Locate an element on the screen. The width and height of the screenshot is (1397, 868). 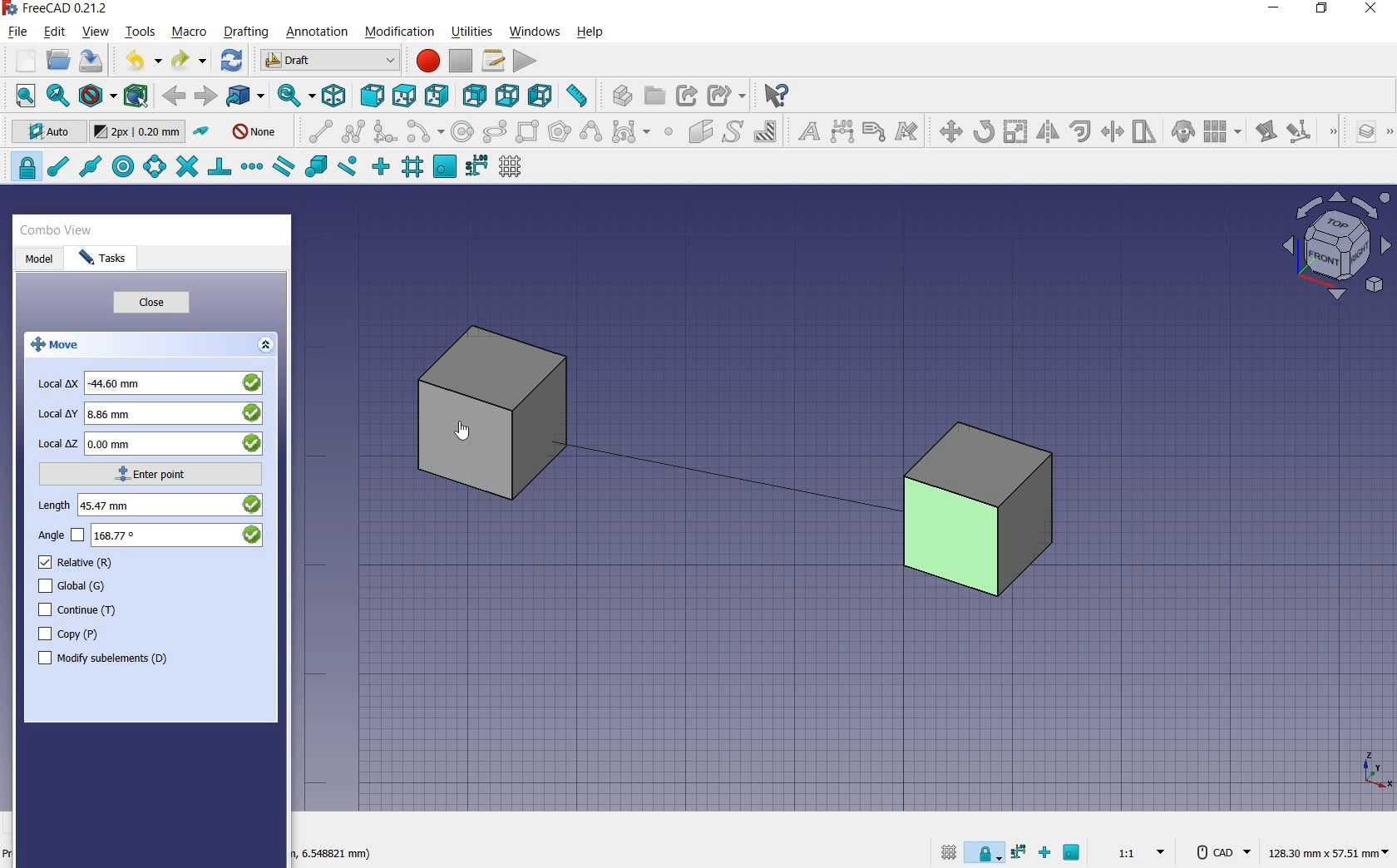
clone is located at coordinates (1183, 132).